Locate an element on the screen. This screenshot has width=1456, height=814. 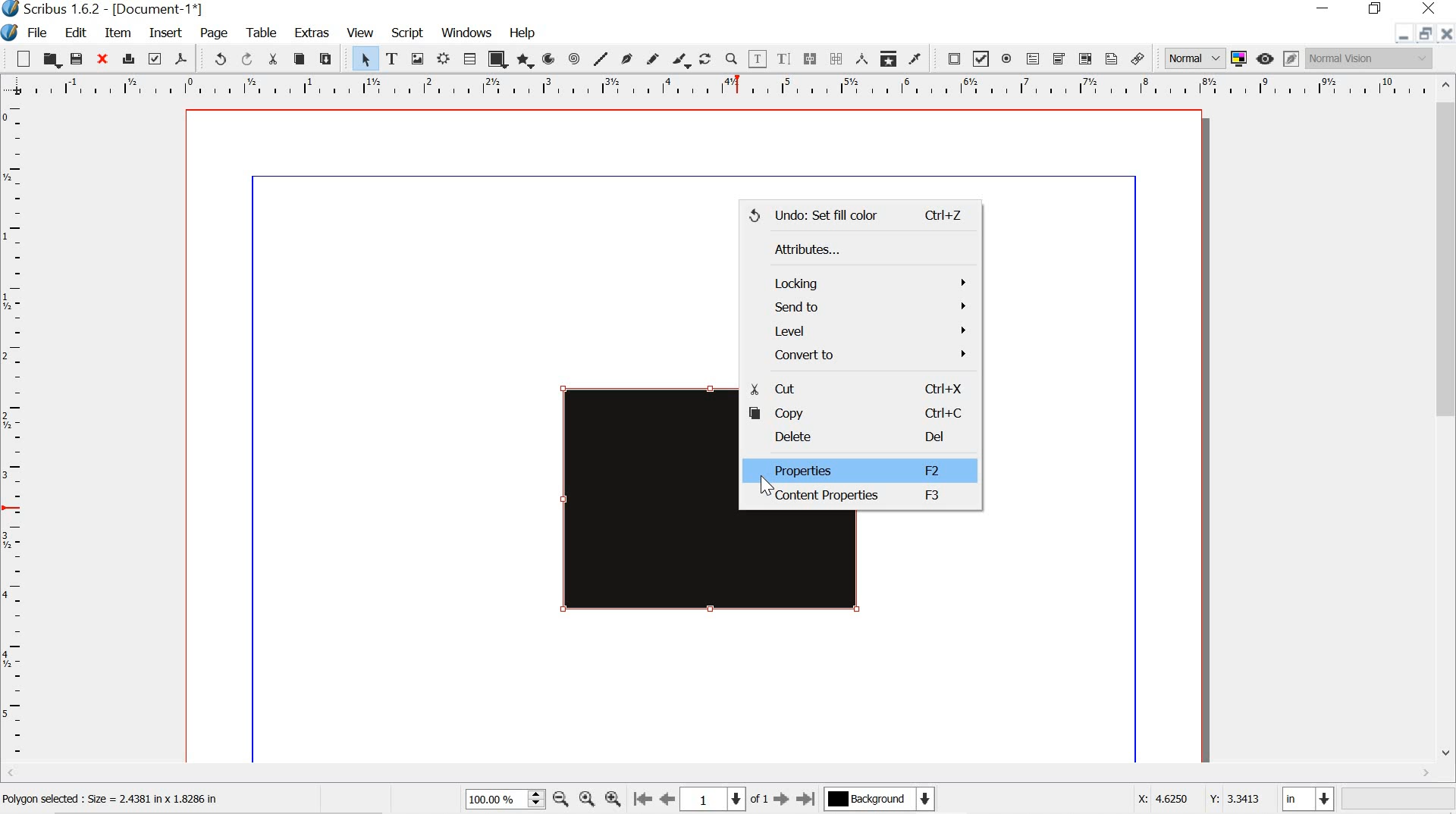
pdf text field is located at coordinates (1034, 58).